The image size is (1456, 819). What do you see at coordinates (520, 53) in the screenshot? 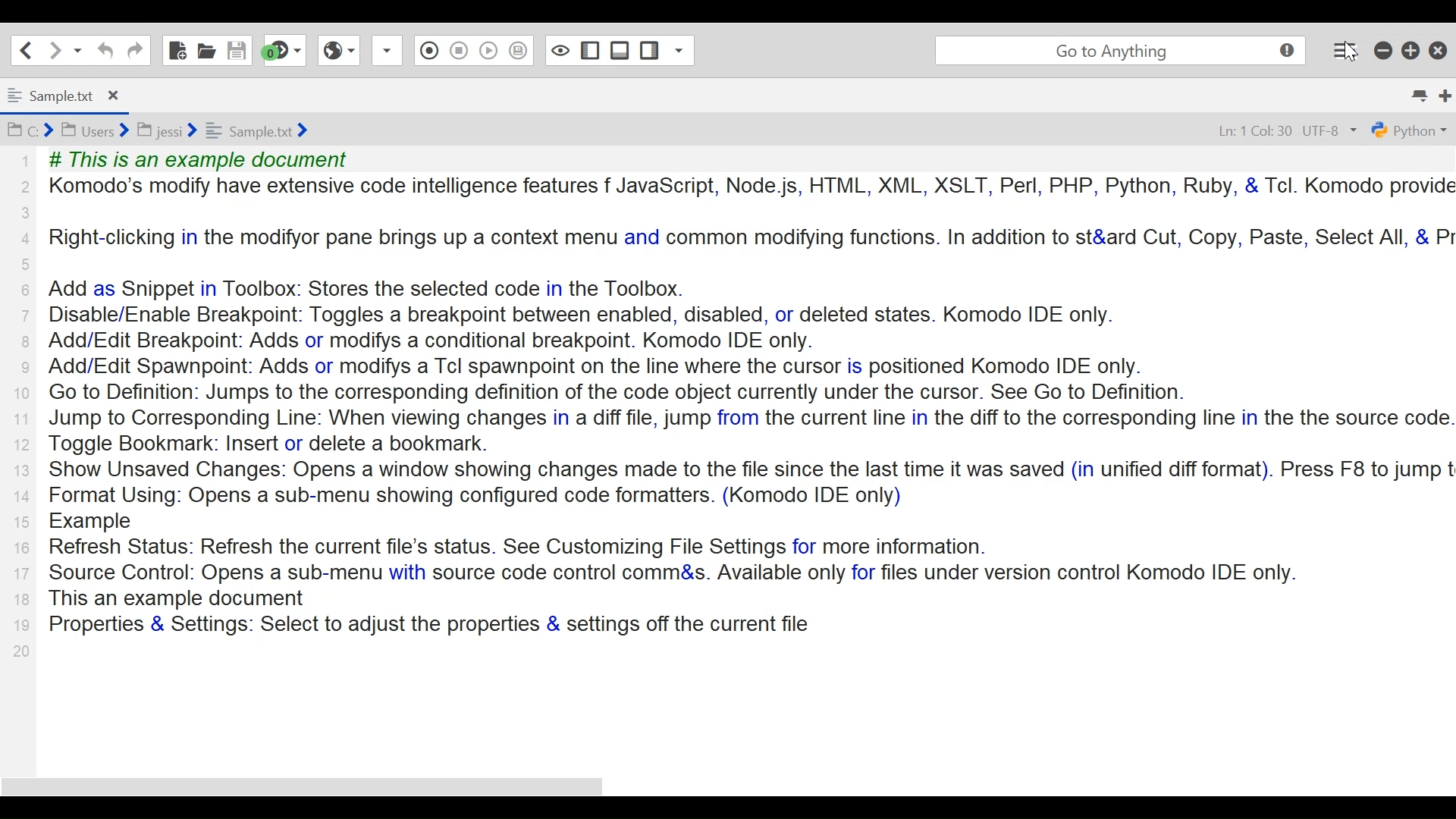
I see `Toggle Focus mode` at bounding box center [520, 53].